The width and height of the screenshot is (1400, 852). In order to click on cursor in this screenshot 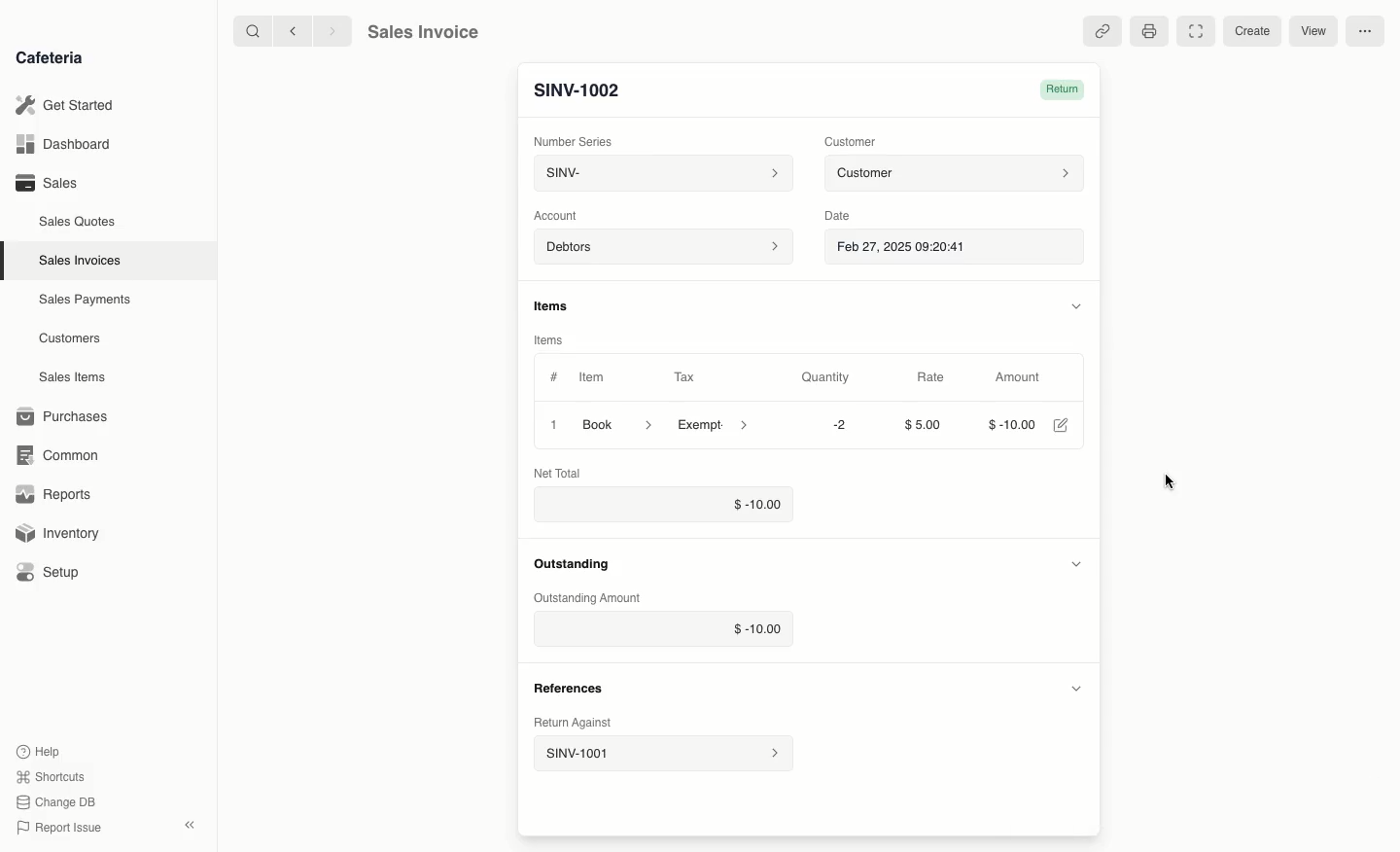, I will do `click(1171, 482)`.